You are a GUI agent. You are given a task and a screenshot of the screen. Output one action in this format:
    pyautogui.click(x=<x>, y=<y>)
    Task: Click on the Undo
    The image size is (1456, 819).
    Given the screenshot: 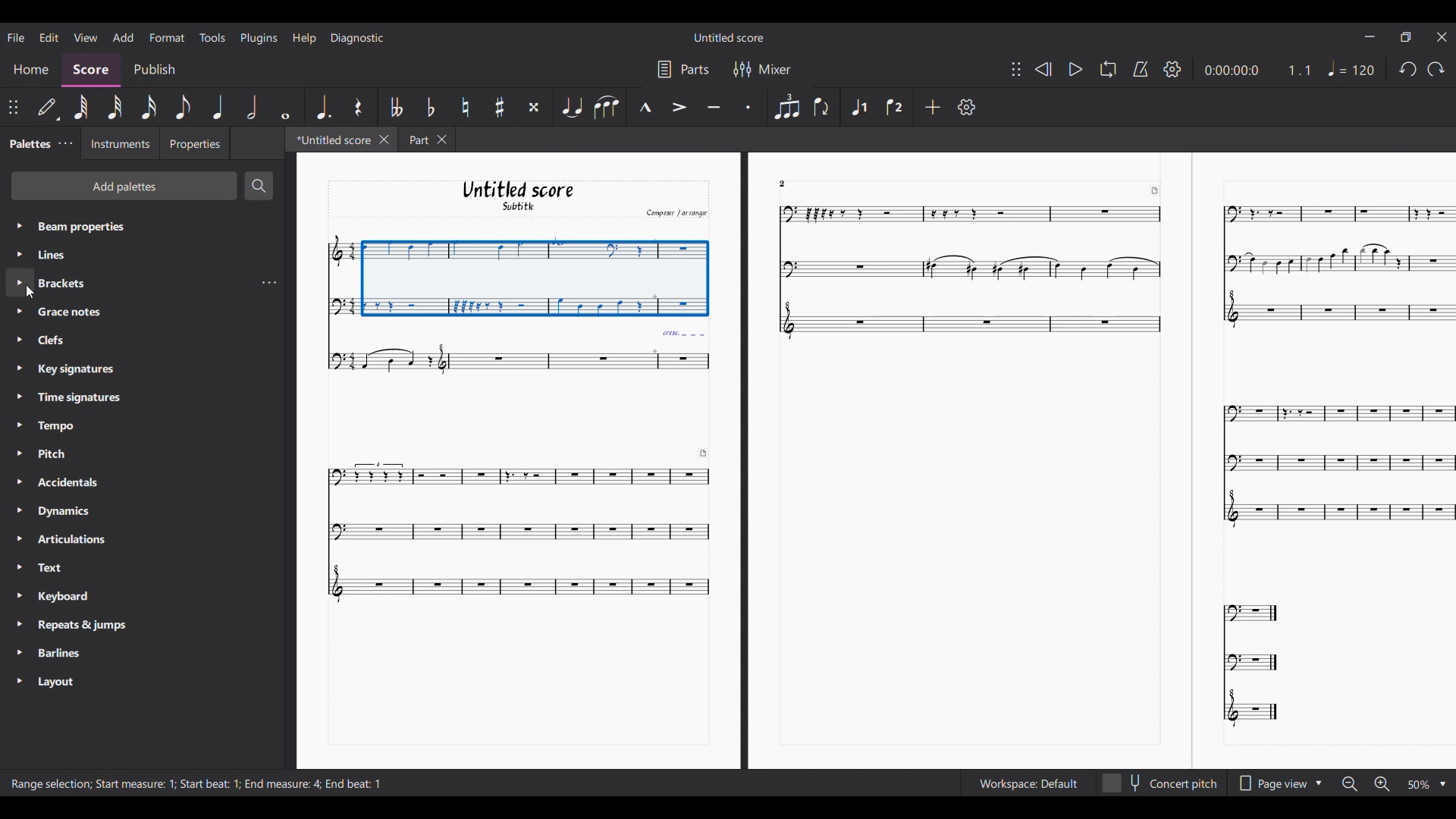 What is the action you would take?
    pyautogui.click(x=1436, y=72)
    